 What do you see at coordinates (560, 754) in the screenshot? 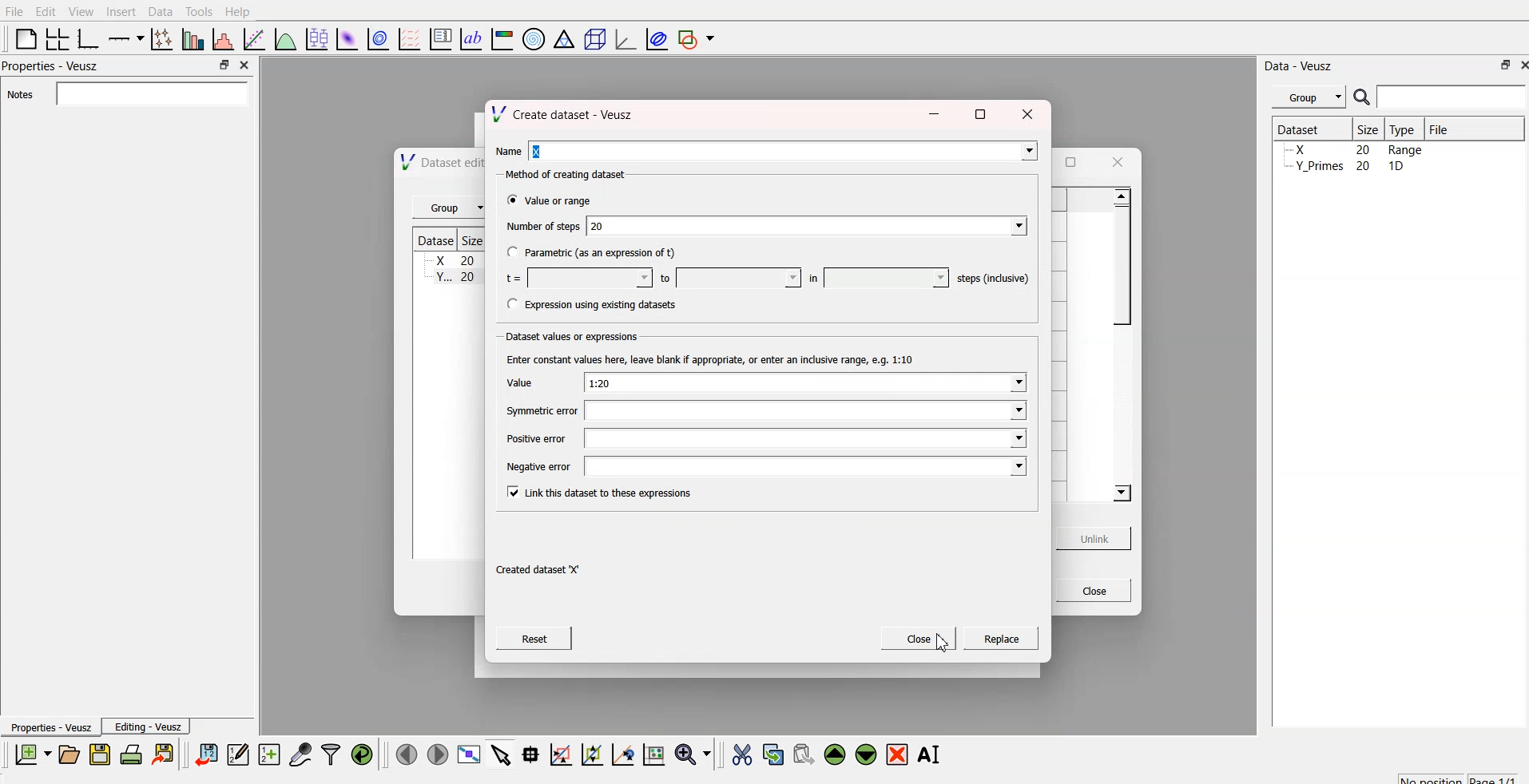
I see `draw rectangle to zoom` at bounding box center [560, 754].